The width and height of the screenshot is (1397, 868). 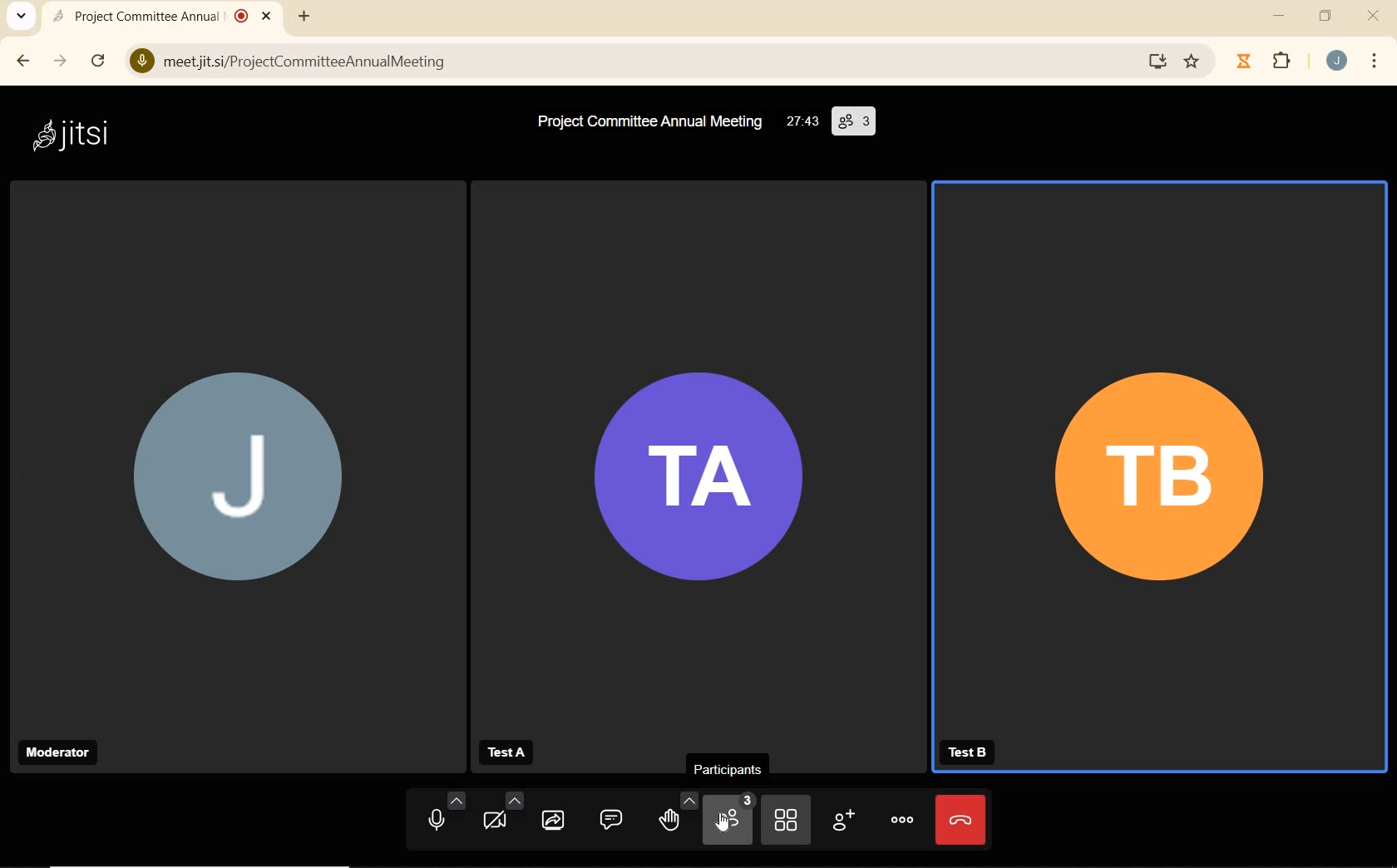 What do you see at coordinates (841, 819) in the screenshot?
I see `INVITE PEOPLE` at bounding box center [841, 819].